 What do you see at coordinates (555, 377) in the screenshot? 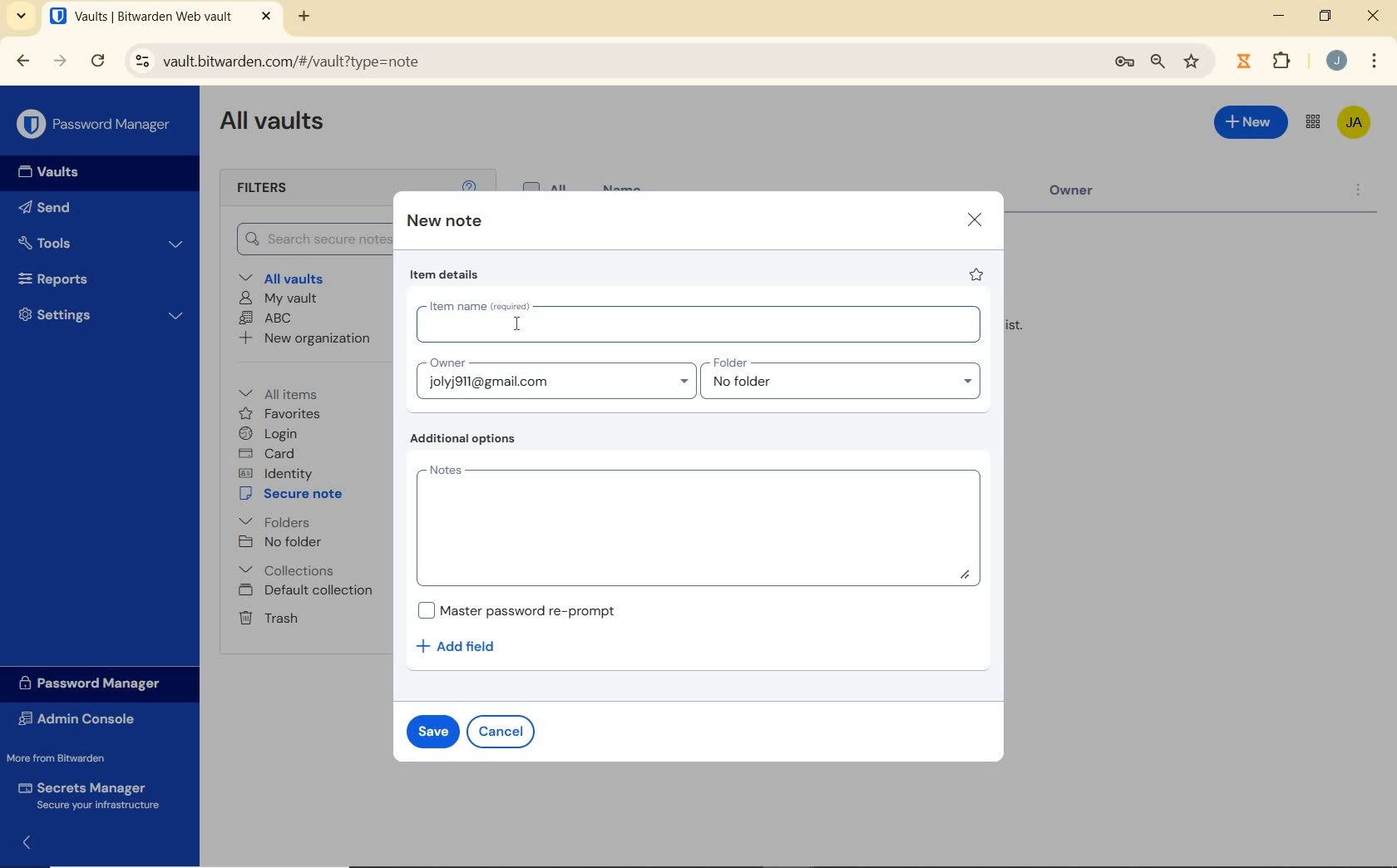
I see `Owner` at bounding box center [555, 377].